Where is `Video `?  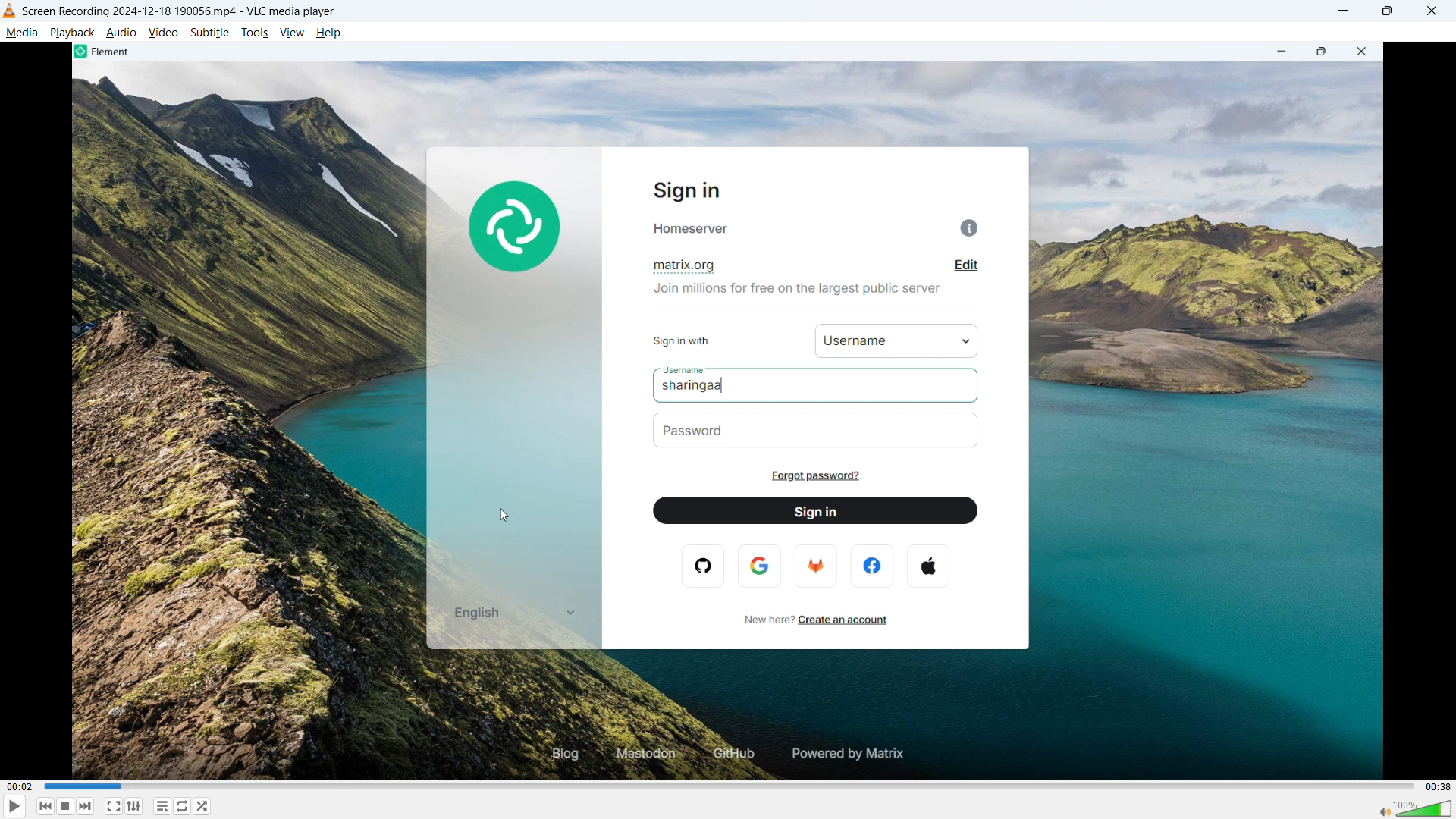
Video  is located at coordinates (163, 32).